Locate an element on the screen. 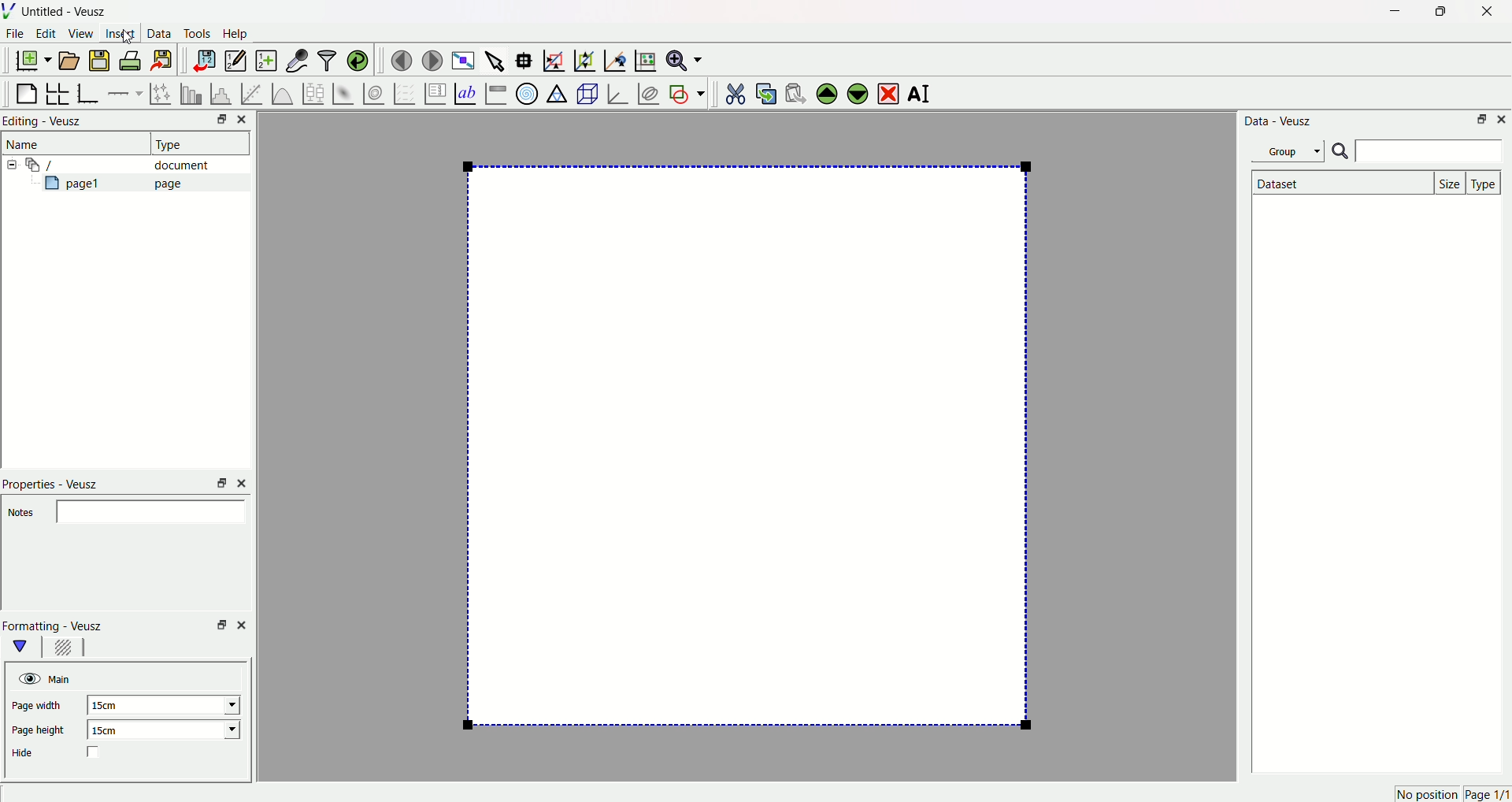 The image size is (1512, 802). move the widgets up is located at coordinates (827, 92).